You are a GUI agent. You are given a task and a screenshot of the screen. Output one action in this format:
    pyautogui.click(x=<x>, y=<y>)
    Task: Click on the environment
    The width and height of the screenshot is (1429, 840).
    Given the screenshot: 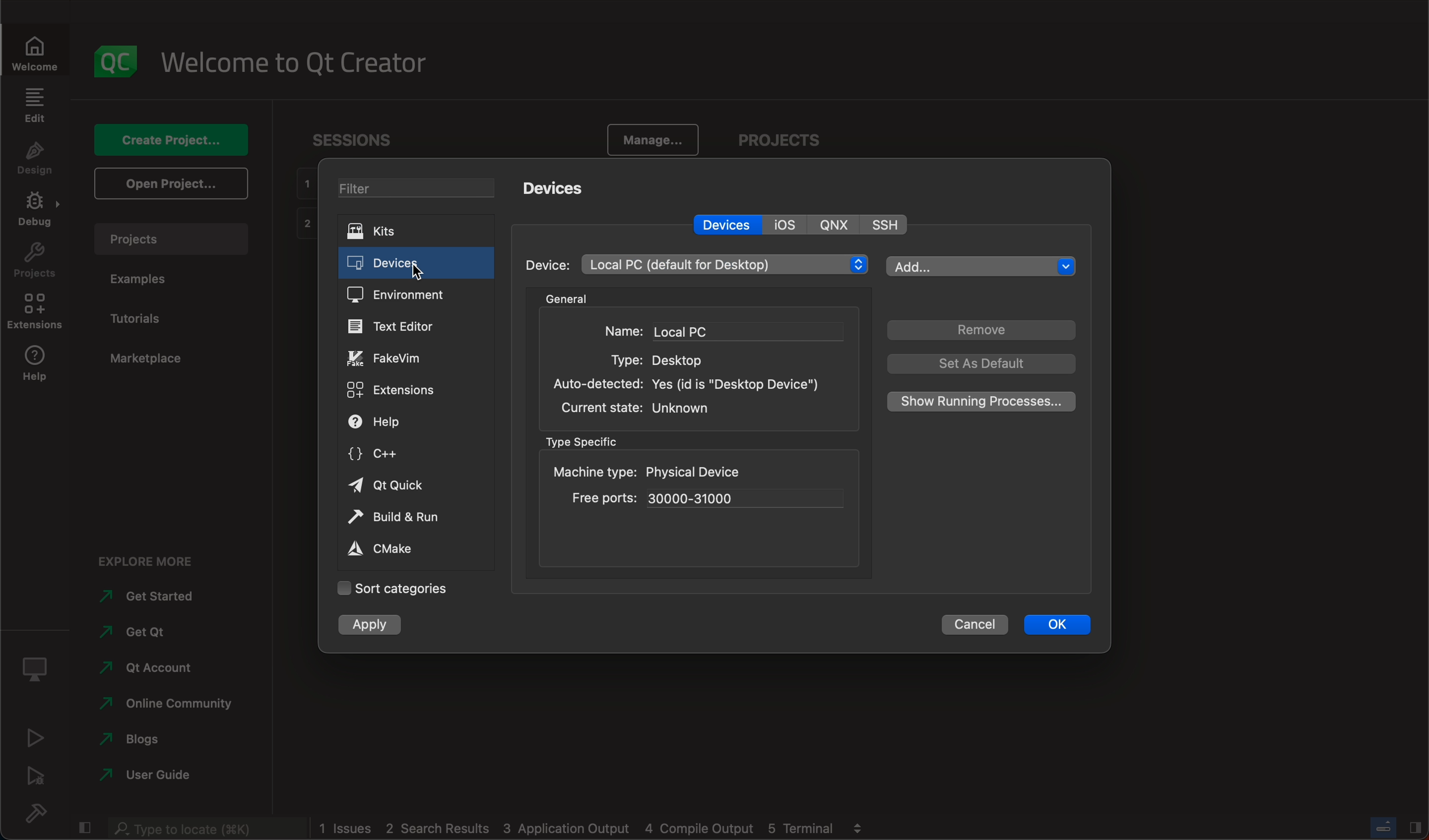 What is the action you would take?
    pyautogui.click(x=415, y=296)
    